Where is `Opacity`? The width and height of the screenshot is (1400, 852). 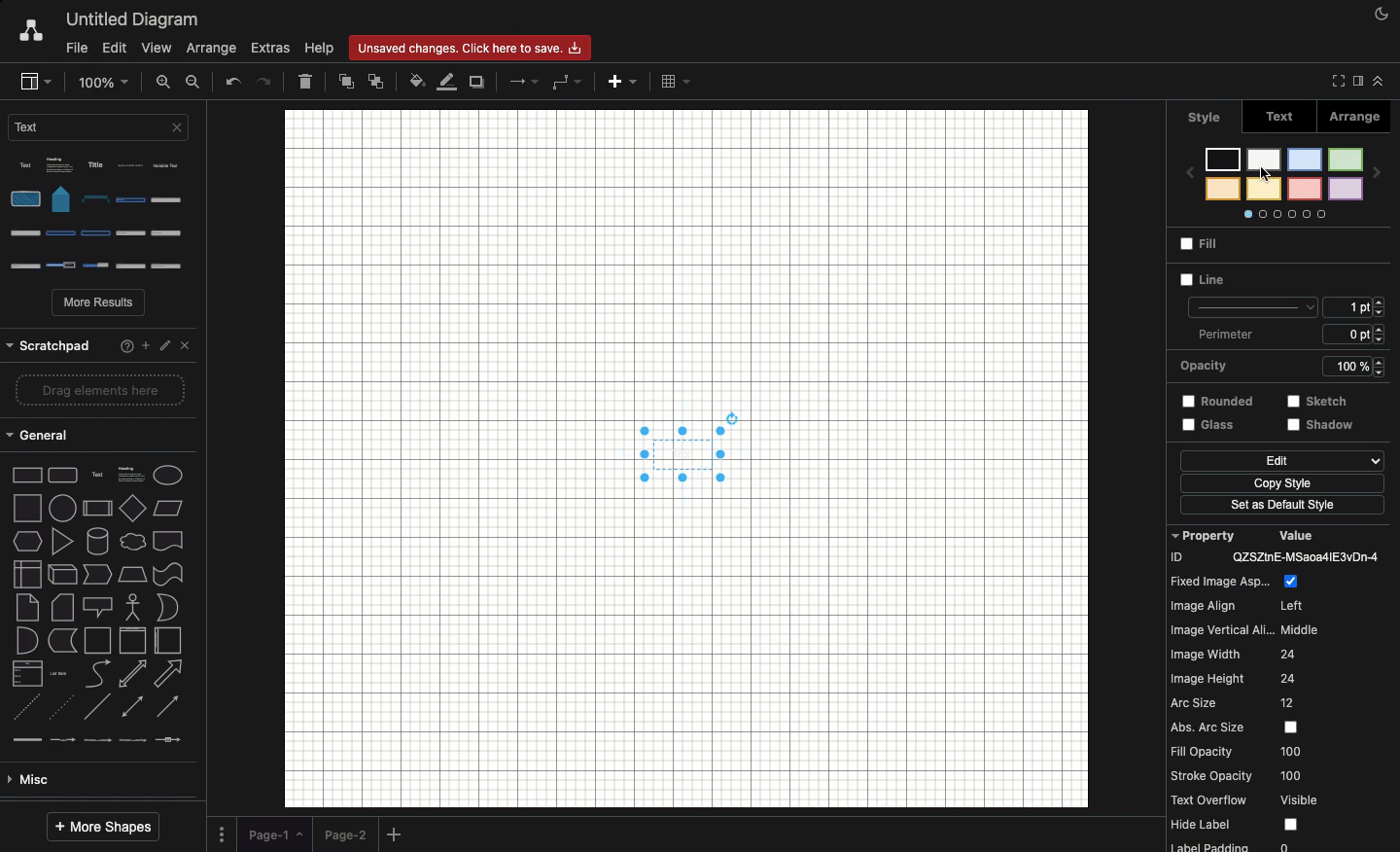
Opacity is located at coordinates (1274, 367).